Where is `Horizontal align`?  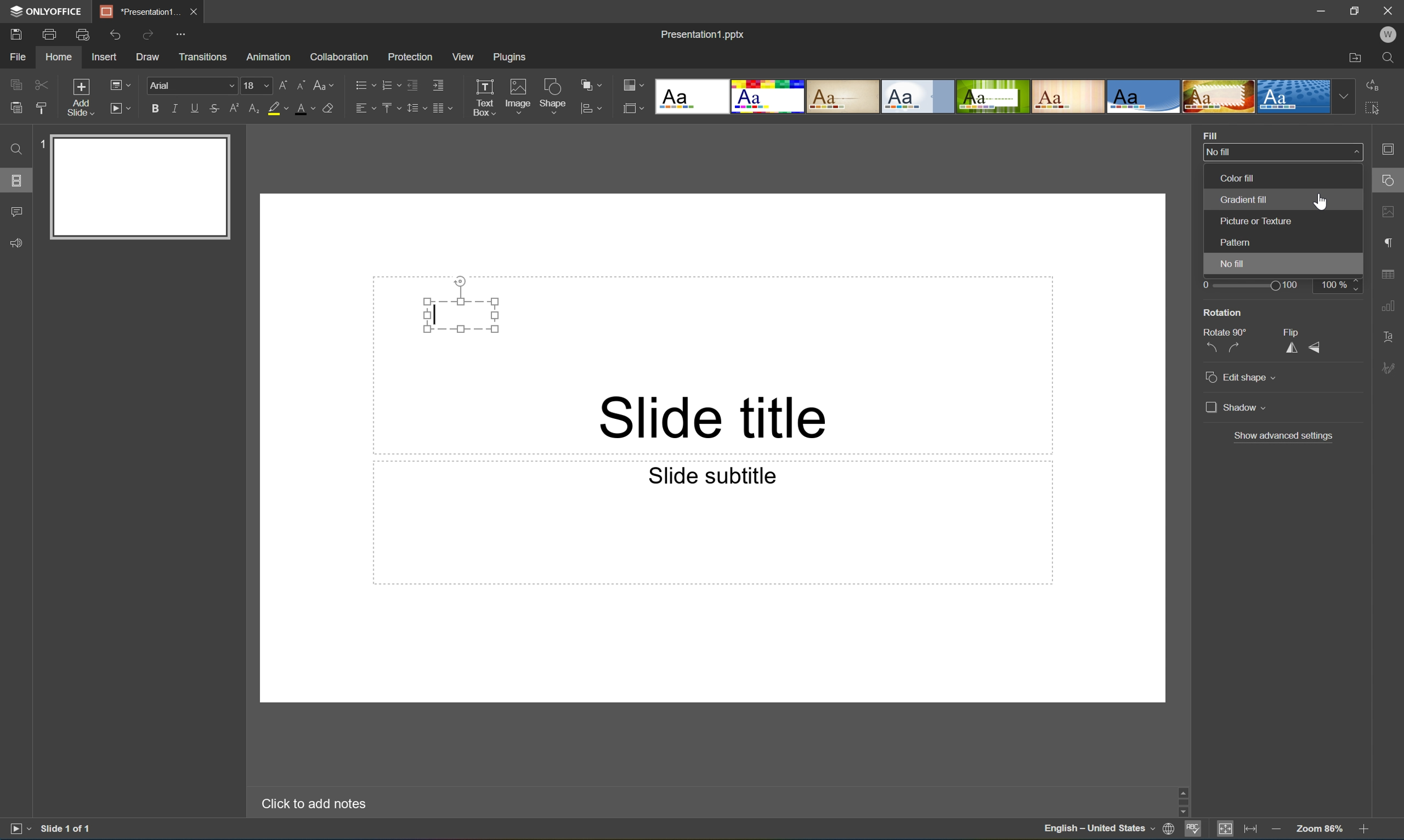 Horizontal align is located at coordinates (365, 109).